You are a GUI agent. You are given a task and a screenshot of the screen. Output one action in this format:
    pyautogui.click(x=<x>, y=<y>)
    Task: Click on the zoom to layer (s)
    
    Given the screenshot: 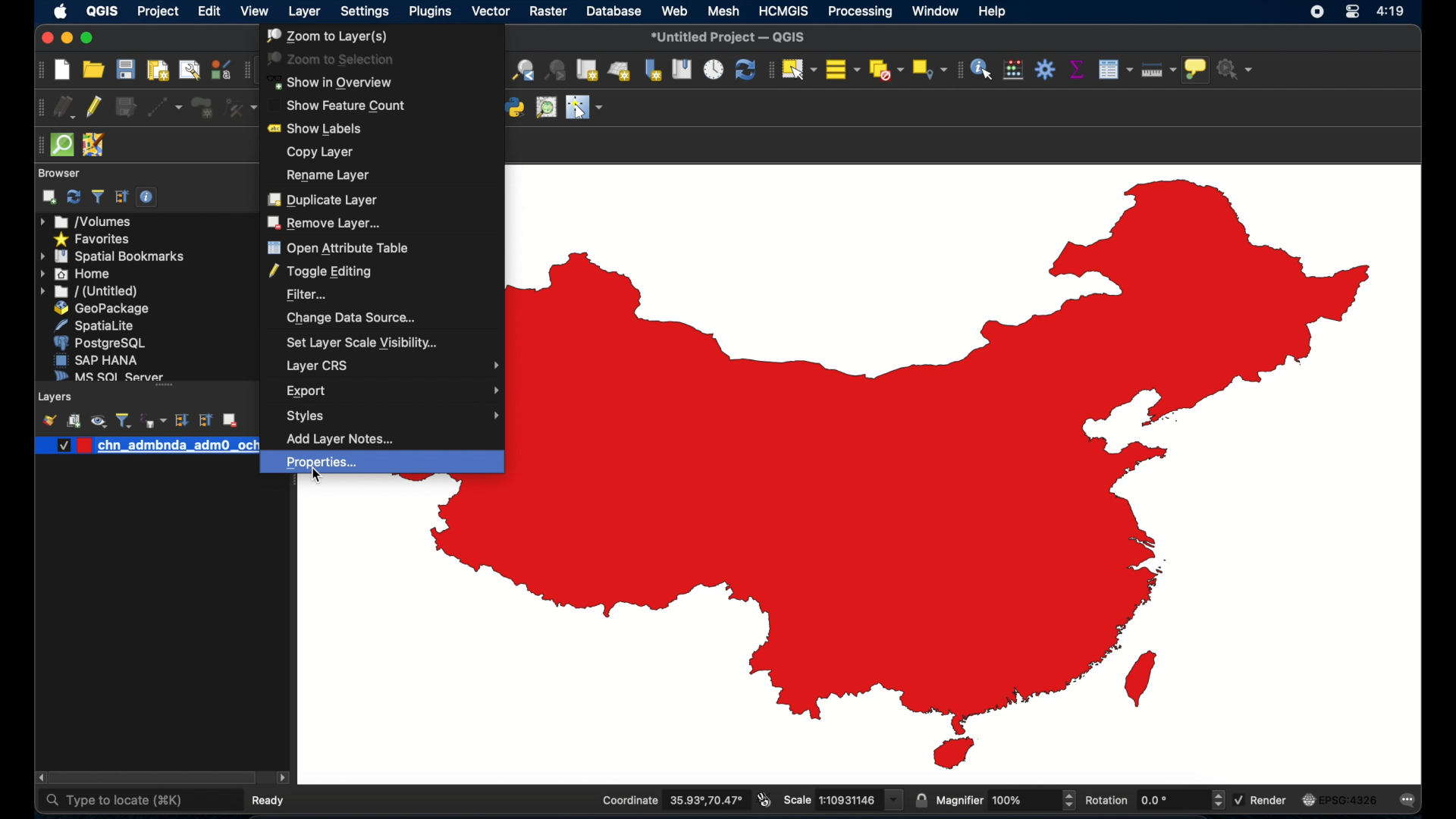 What is the action you would take?
    pyautogui.click(x=325, y=36)
    